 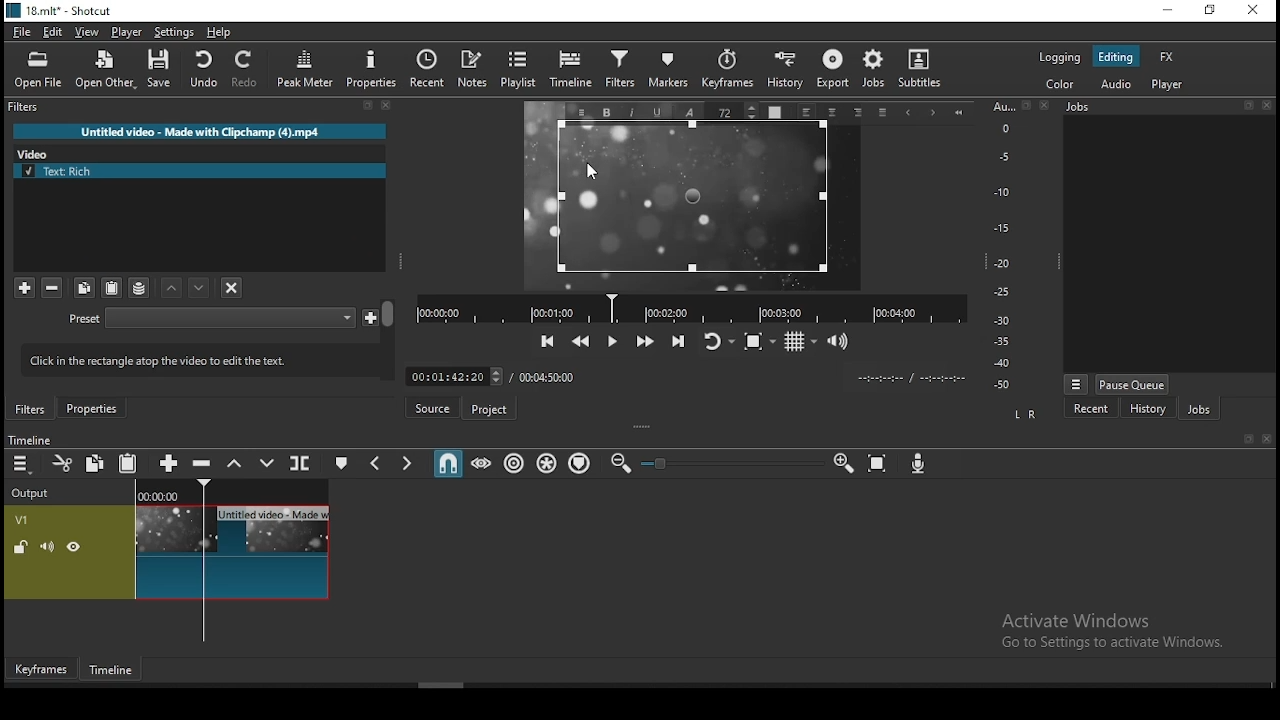 What do you see at coordinates (1170, 84) in the screenshot?
I see `player` at bounding box center [1170, 84].